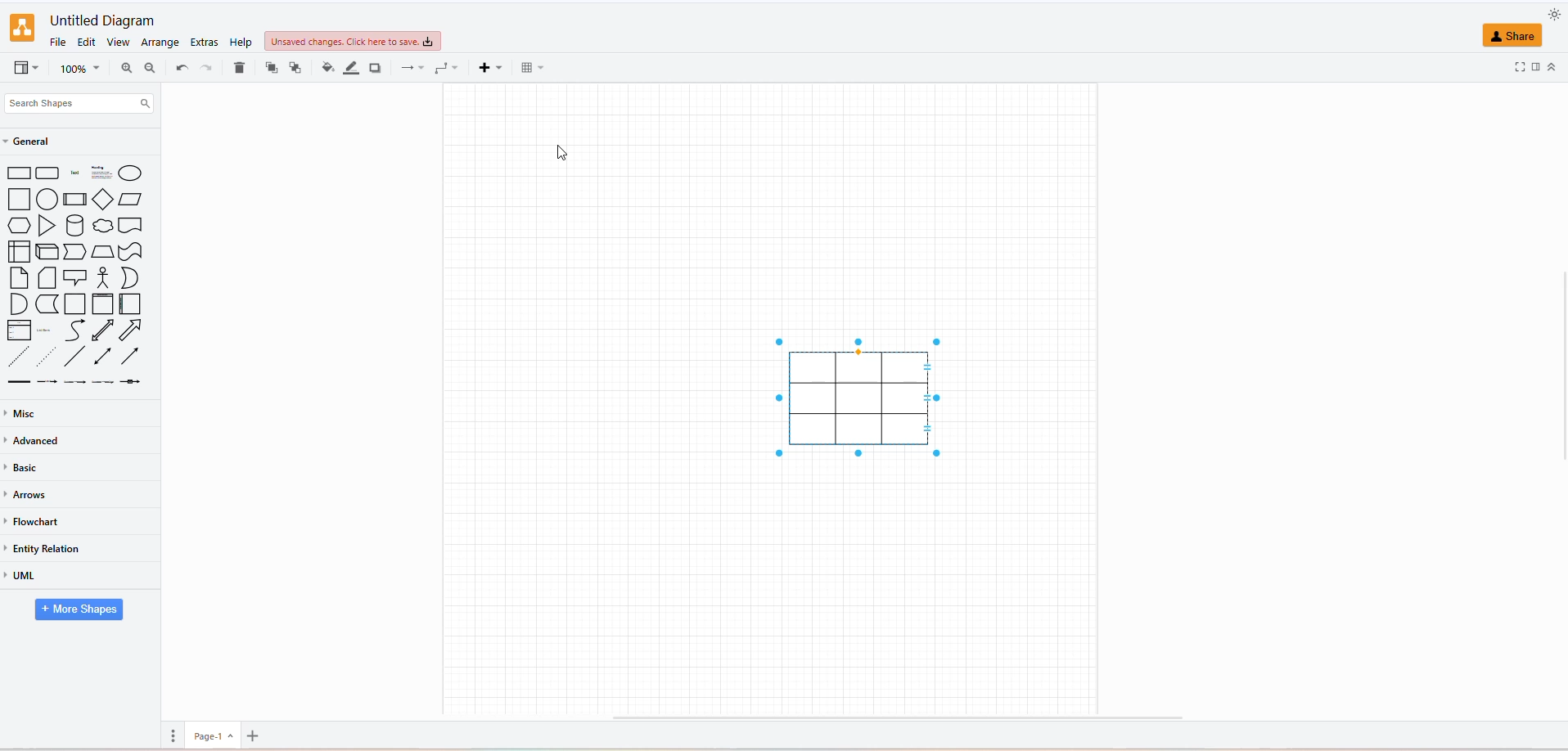  What do you see at coordinates (1558, 372) in the screenshot?
I see `slide bar` at bounding box center [1558, 372].